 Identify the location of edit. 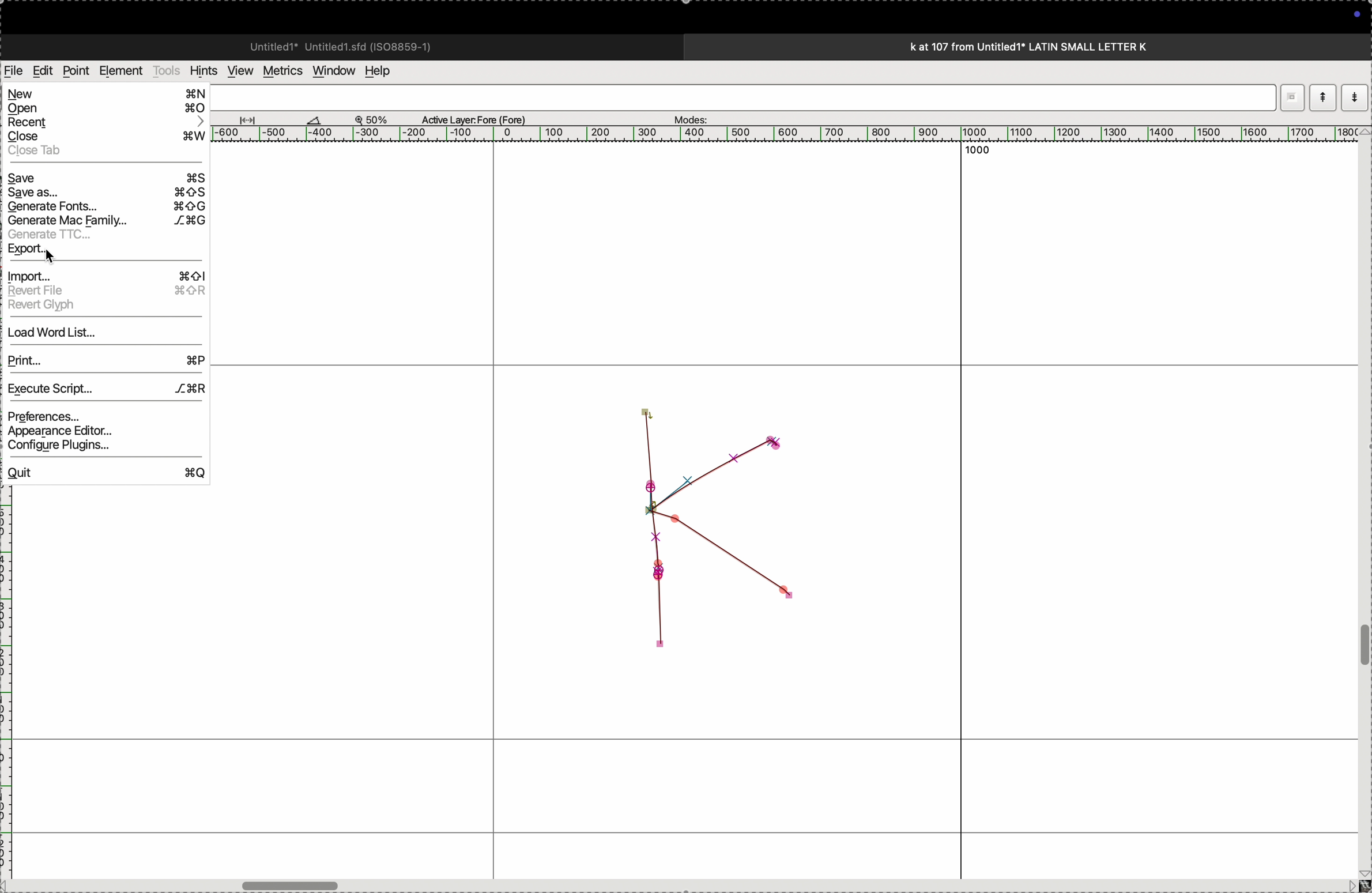
(42, 70).